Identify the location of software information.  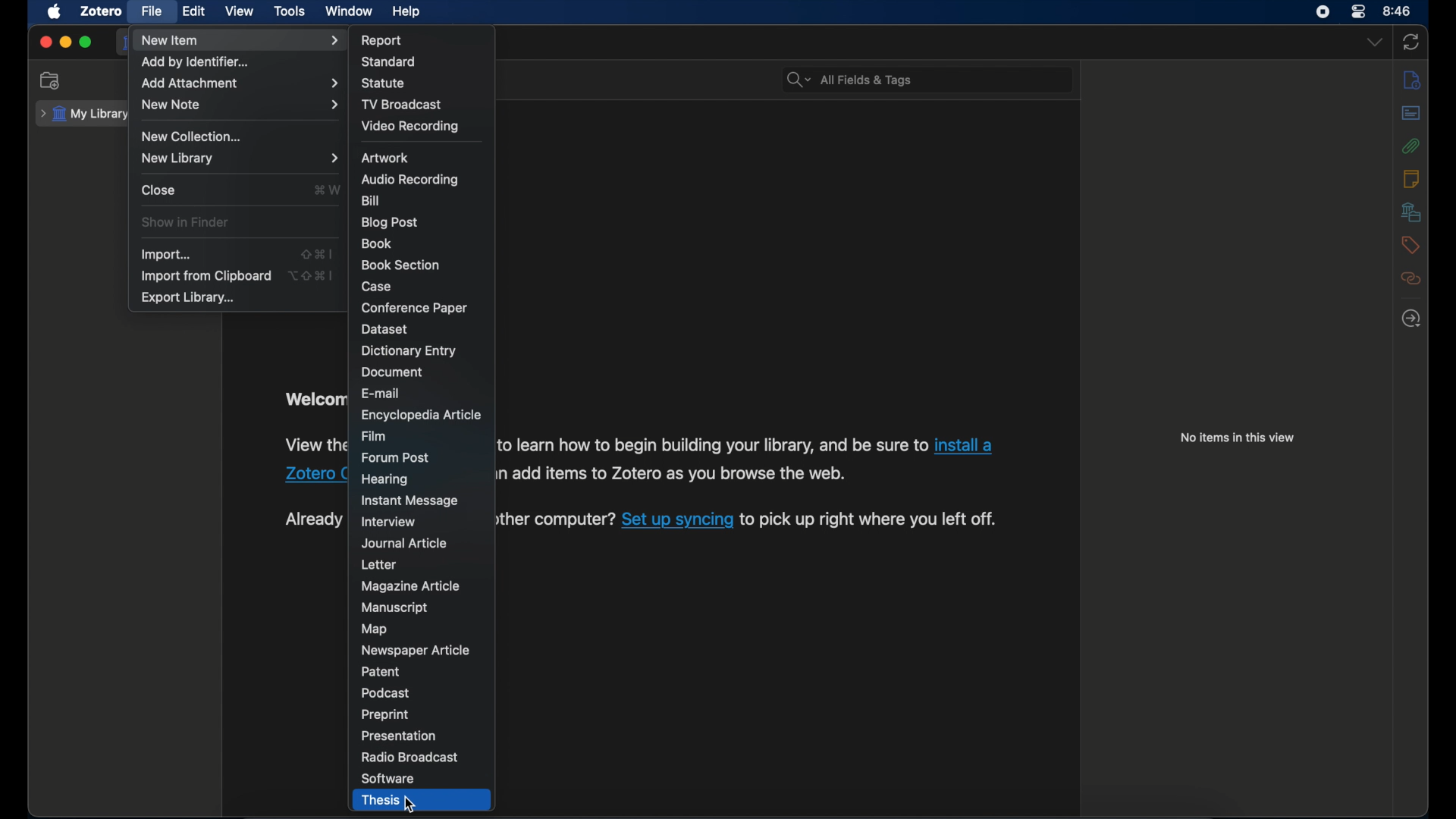
(871, 520).